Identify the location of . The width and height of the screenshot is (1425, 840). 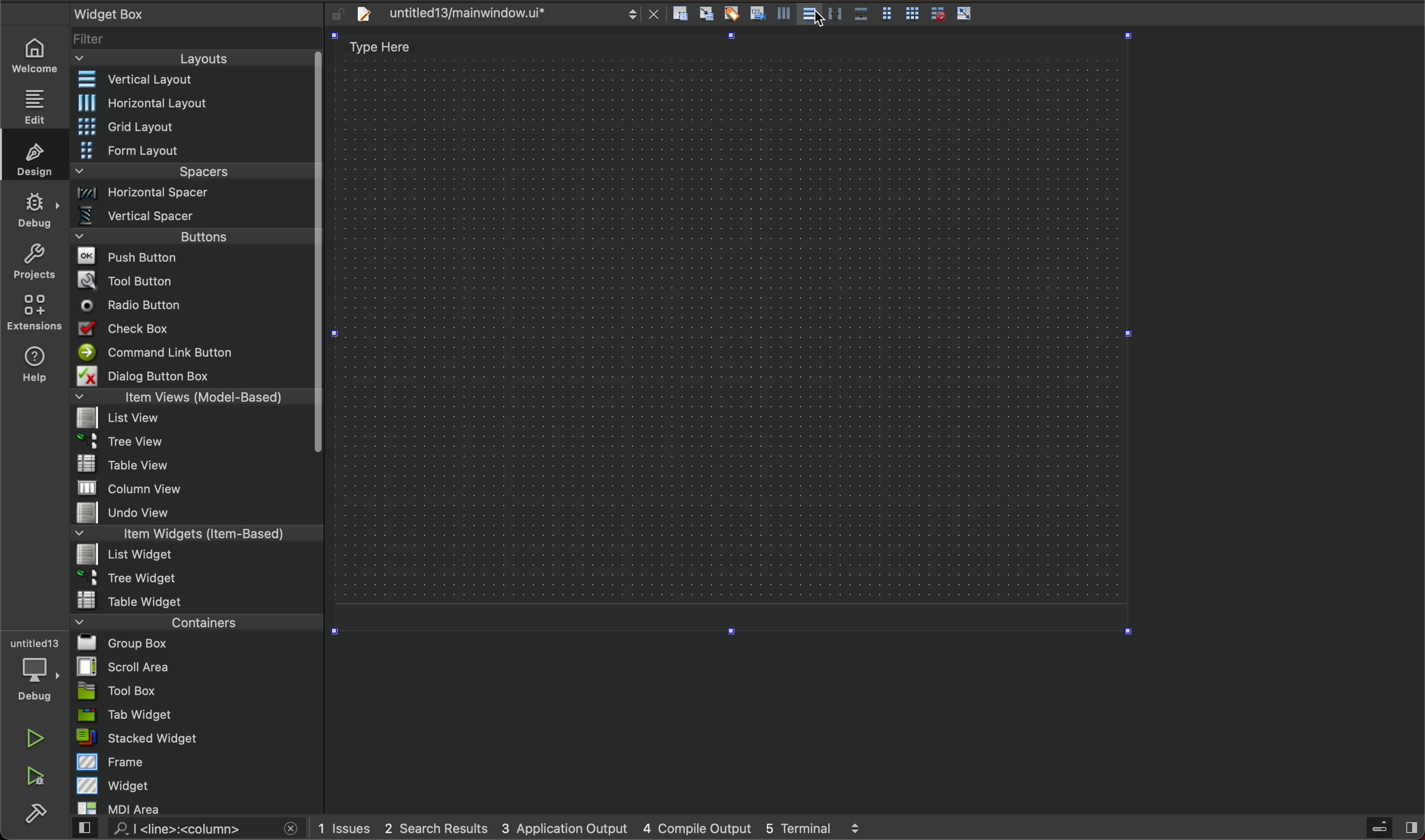
(914, 14).